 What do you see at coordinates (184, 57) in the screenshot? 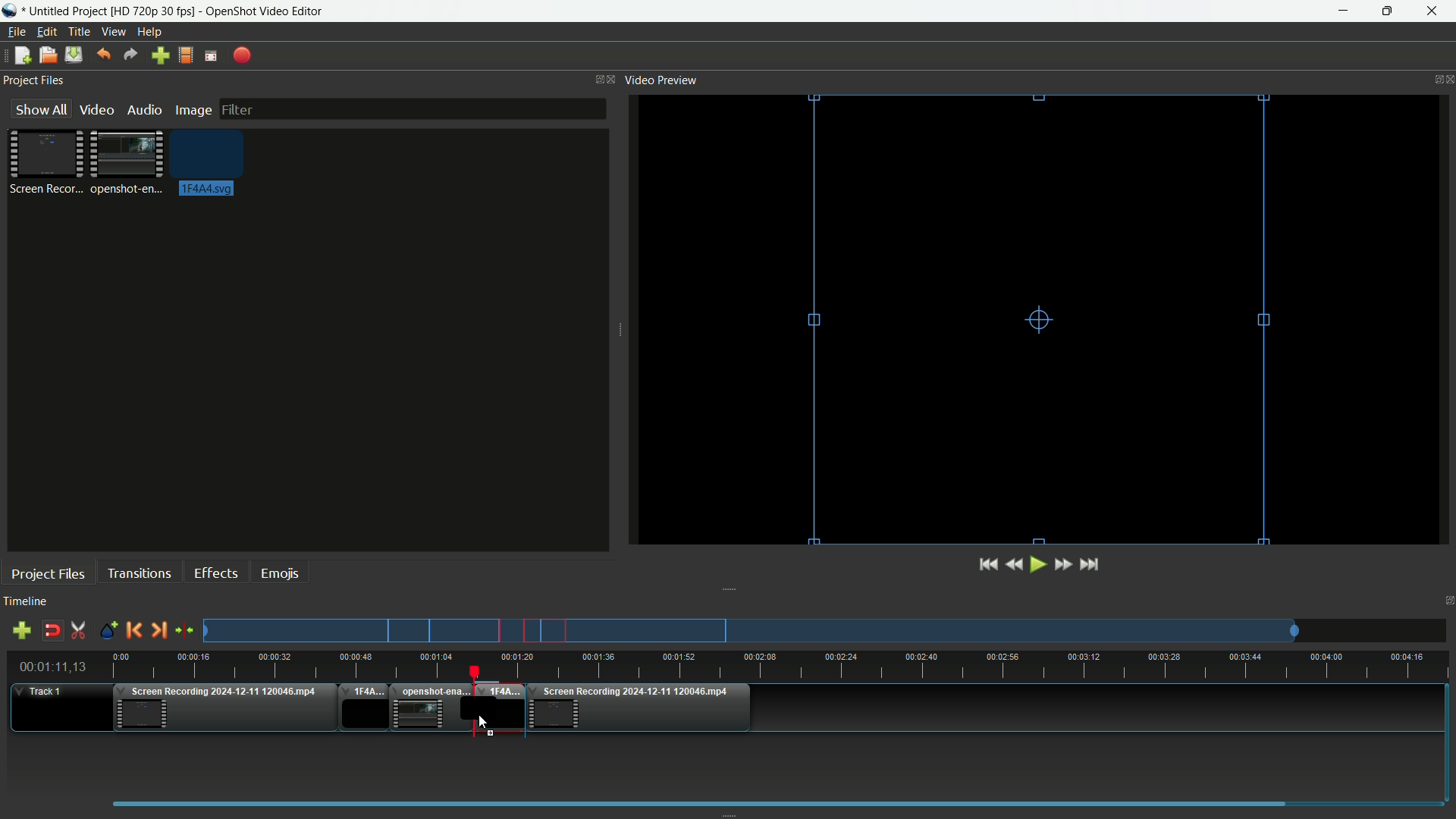
I see `Profile` at bounding box center [184, 57].